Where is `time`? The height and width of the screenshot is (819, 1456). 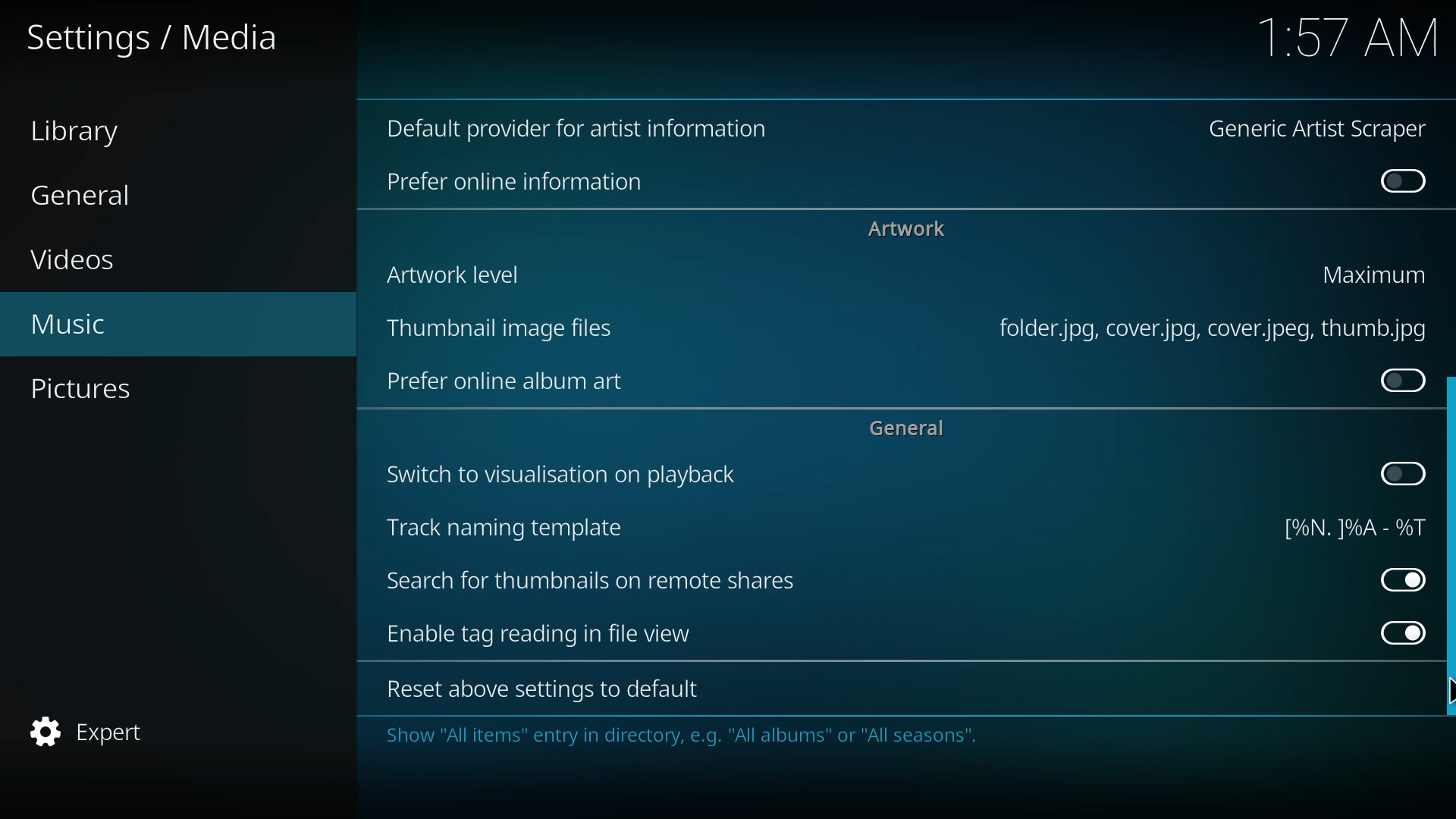
time is located at coordinates (1345, 36).